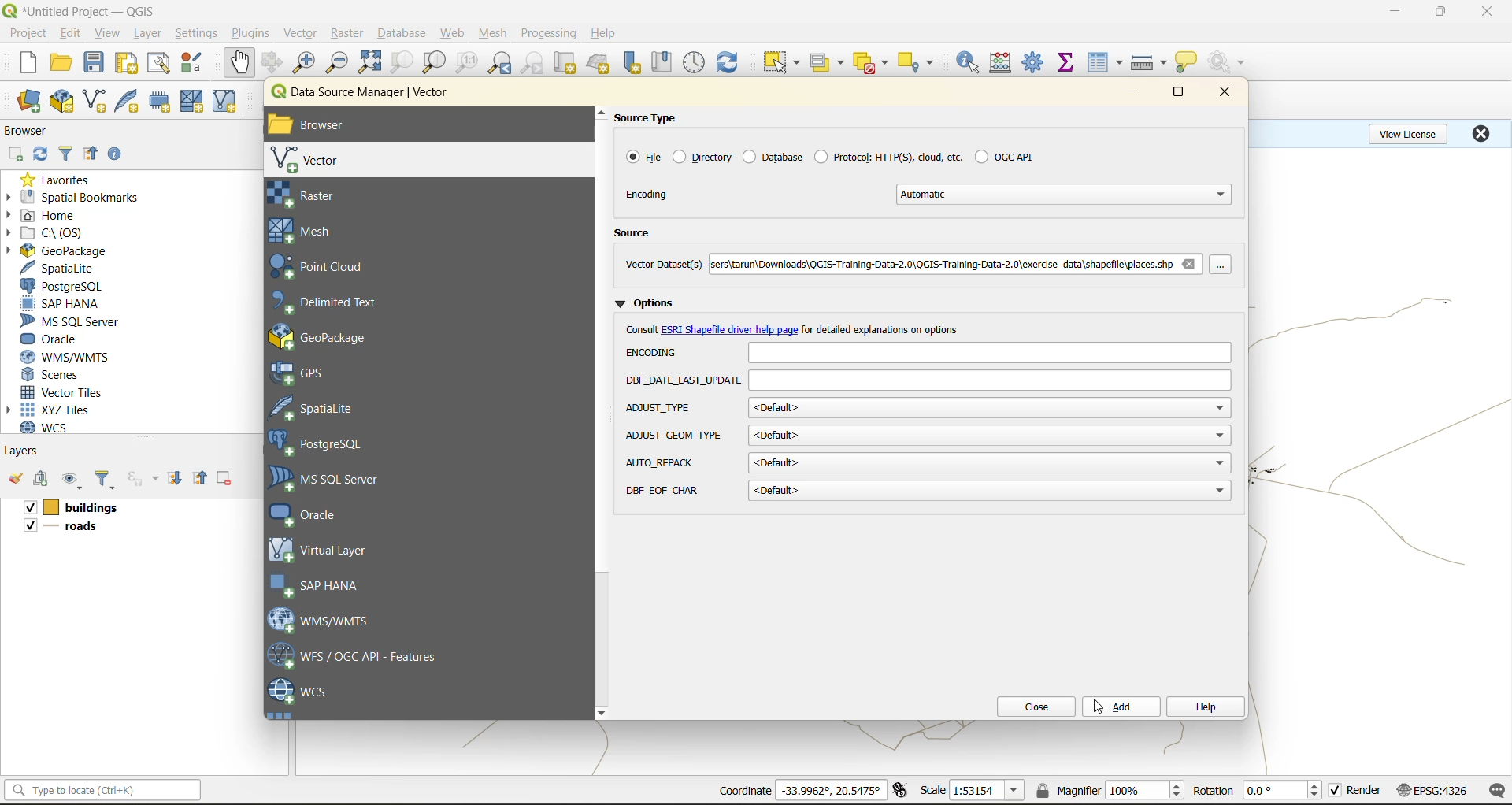 The height and width of the screenshot is (805, 1512). Describe the element at coordinates (348, 32) in the screenshot. I see `raster` at that location.